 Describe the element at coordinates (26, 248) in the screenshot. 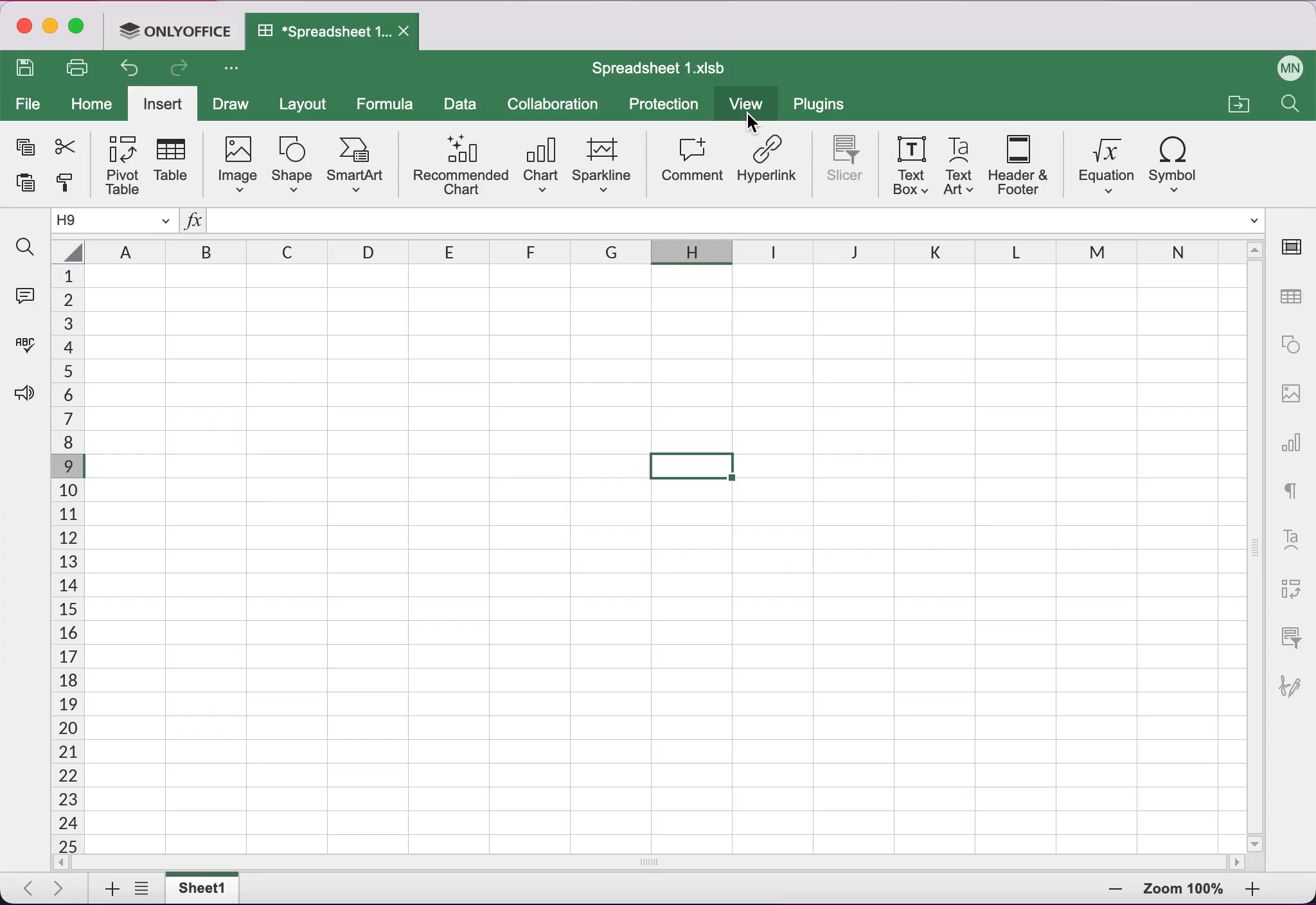

I see `find` at that location.